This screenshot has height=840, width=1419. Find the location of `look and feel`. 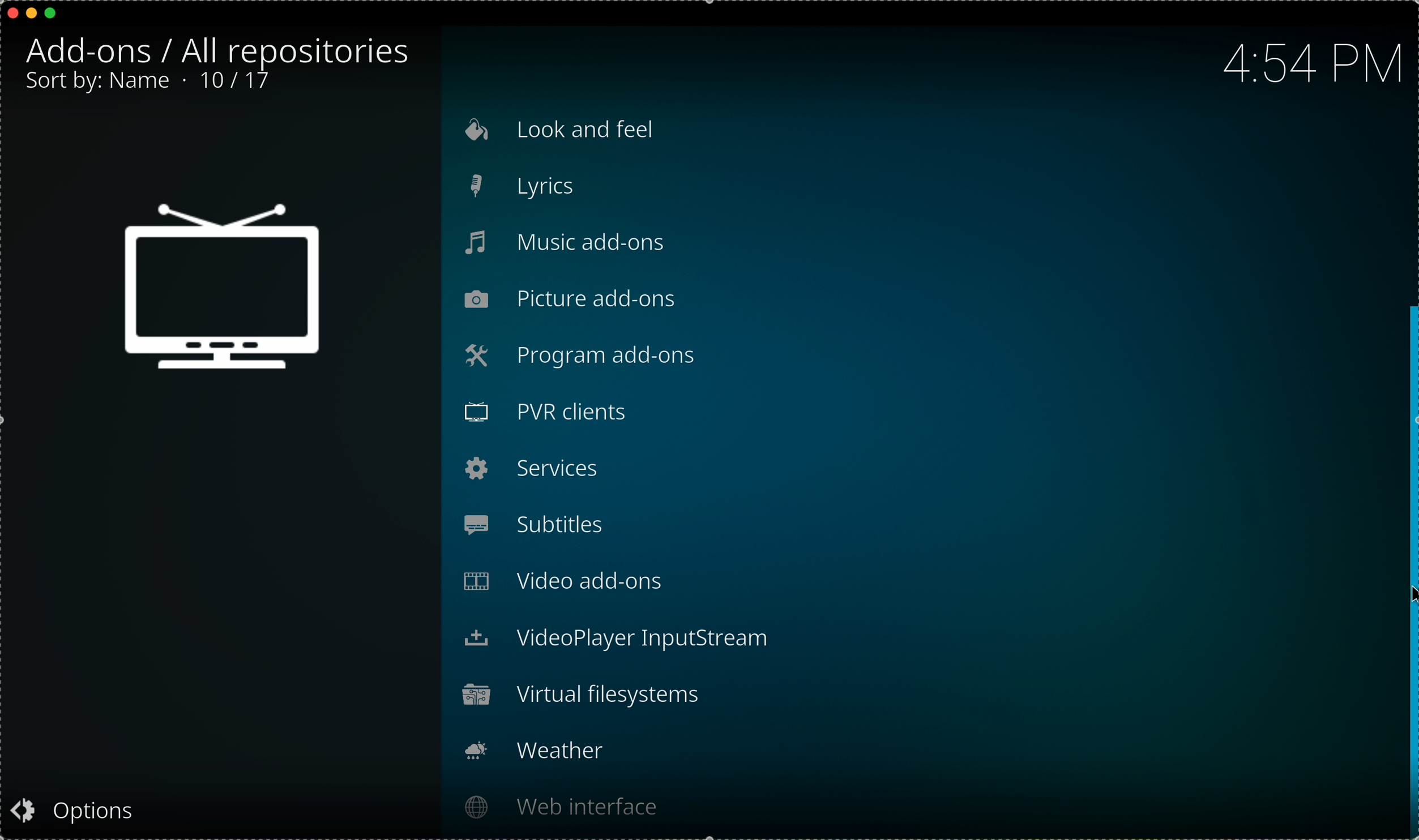

look and feel is located at coordinates (559, 132).